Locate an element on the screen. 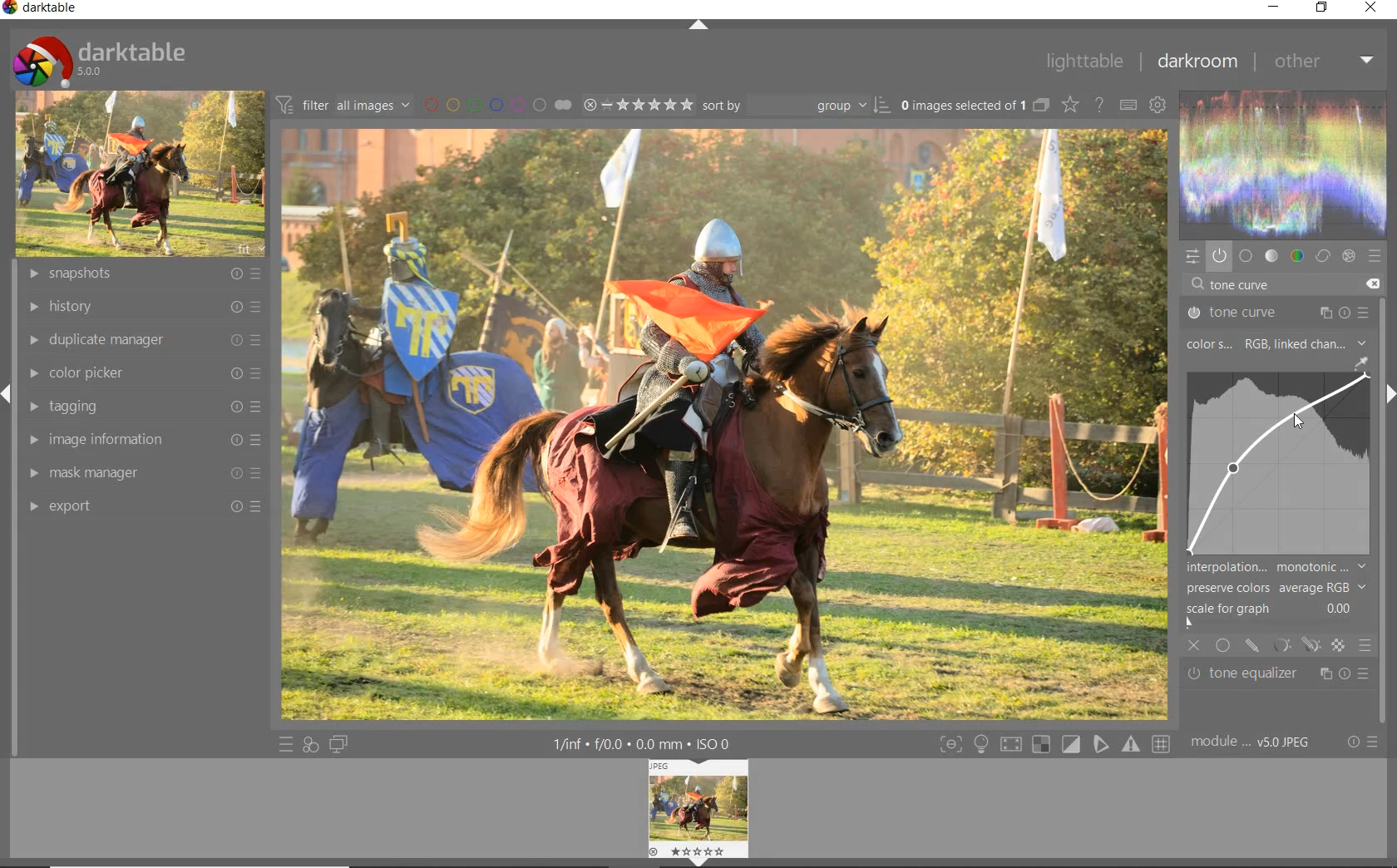 This screenshot has height=868, width=1397. darktable is located at coordinates (45, 10).